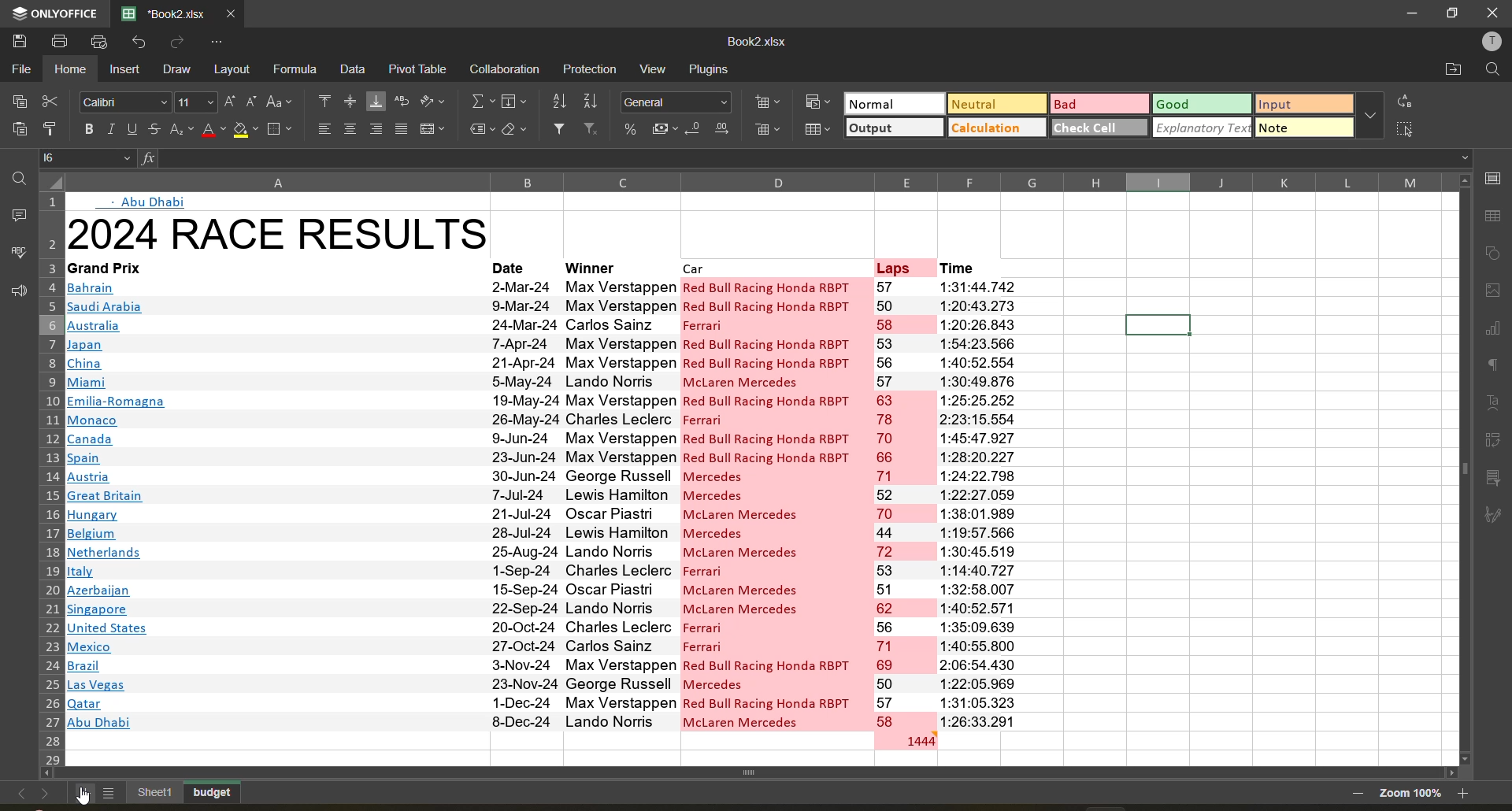  Describe the element at coordinates (1303, 128) in the screenshot. I see `note` at that location.